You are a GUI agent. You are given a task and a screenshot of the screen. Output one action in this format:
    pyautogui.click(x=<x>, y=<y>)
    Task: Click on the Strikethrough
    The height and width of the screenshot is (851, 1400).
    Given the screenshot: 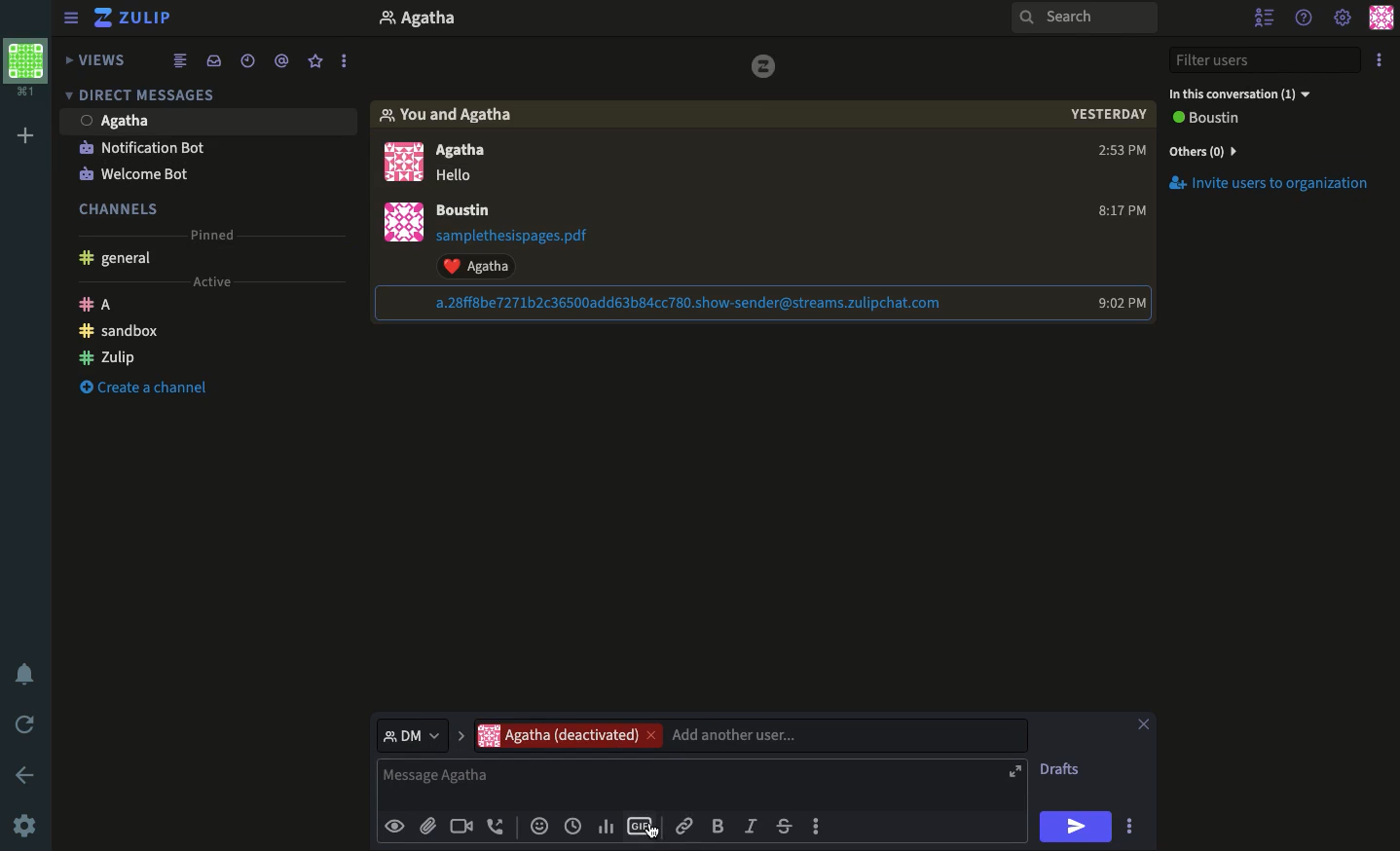 What is the action you would take?
    pyautogui.click(x=785, y=826)
    